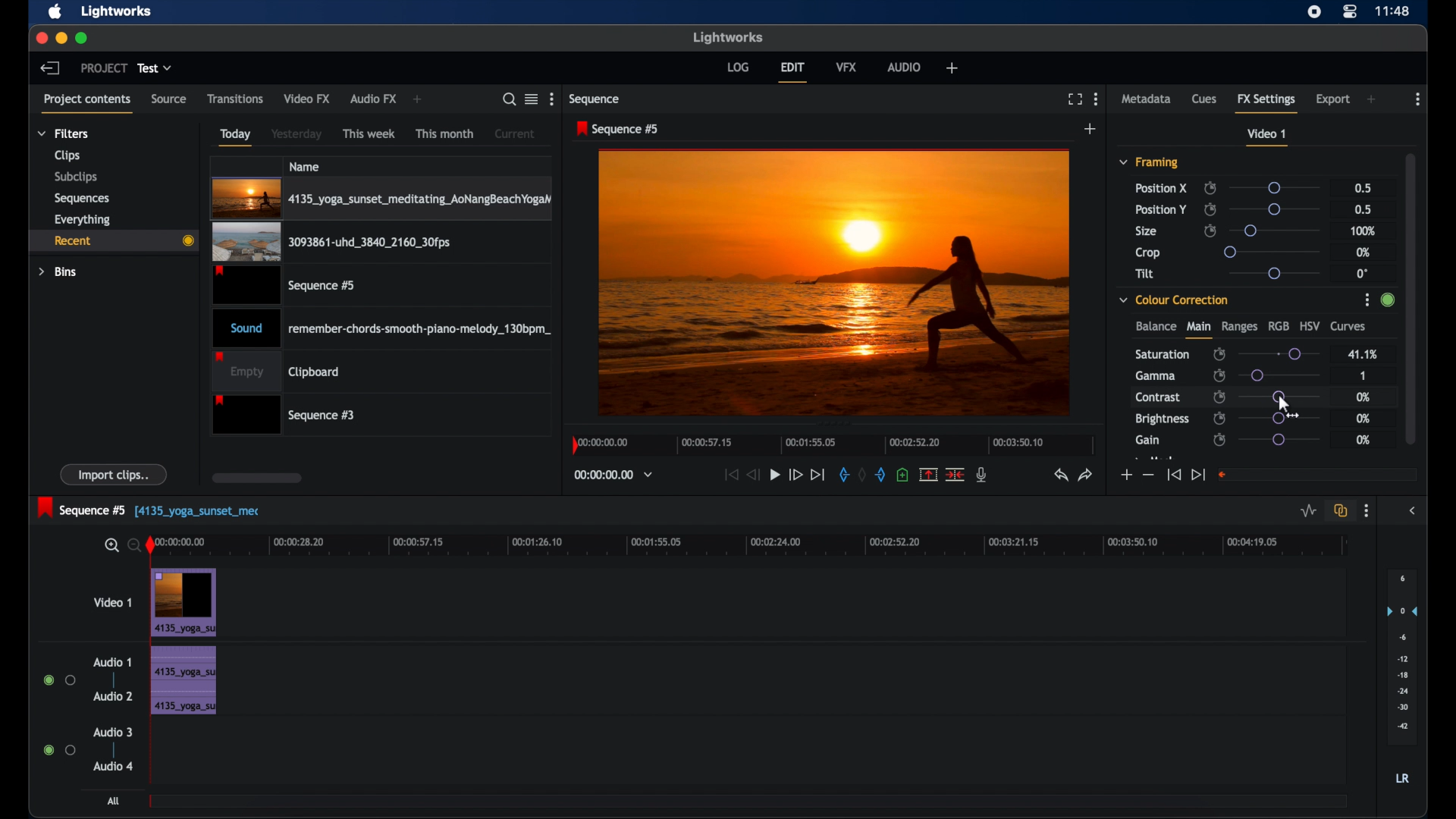  What do you see at coordinates (843, 474) in the screenshot?
I see `in mark` at bounding box center [843, 474].